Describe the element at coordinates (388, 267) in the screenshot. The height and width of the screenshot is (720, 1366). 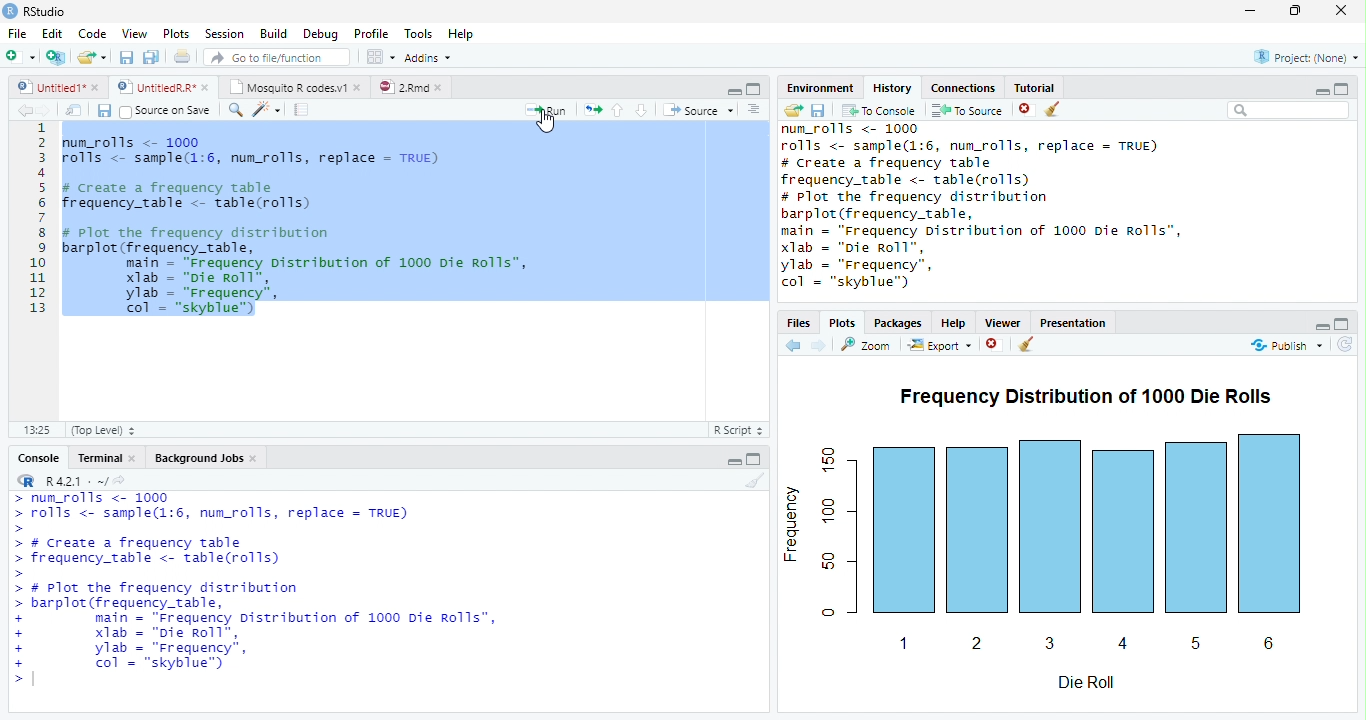
I see `Code Editor` at that location.